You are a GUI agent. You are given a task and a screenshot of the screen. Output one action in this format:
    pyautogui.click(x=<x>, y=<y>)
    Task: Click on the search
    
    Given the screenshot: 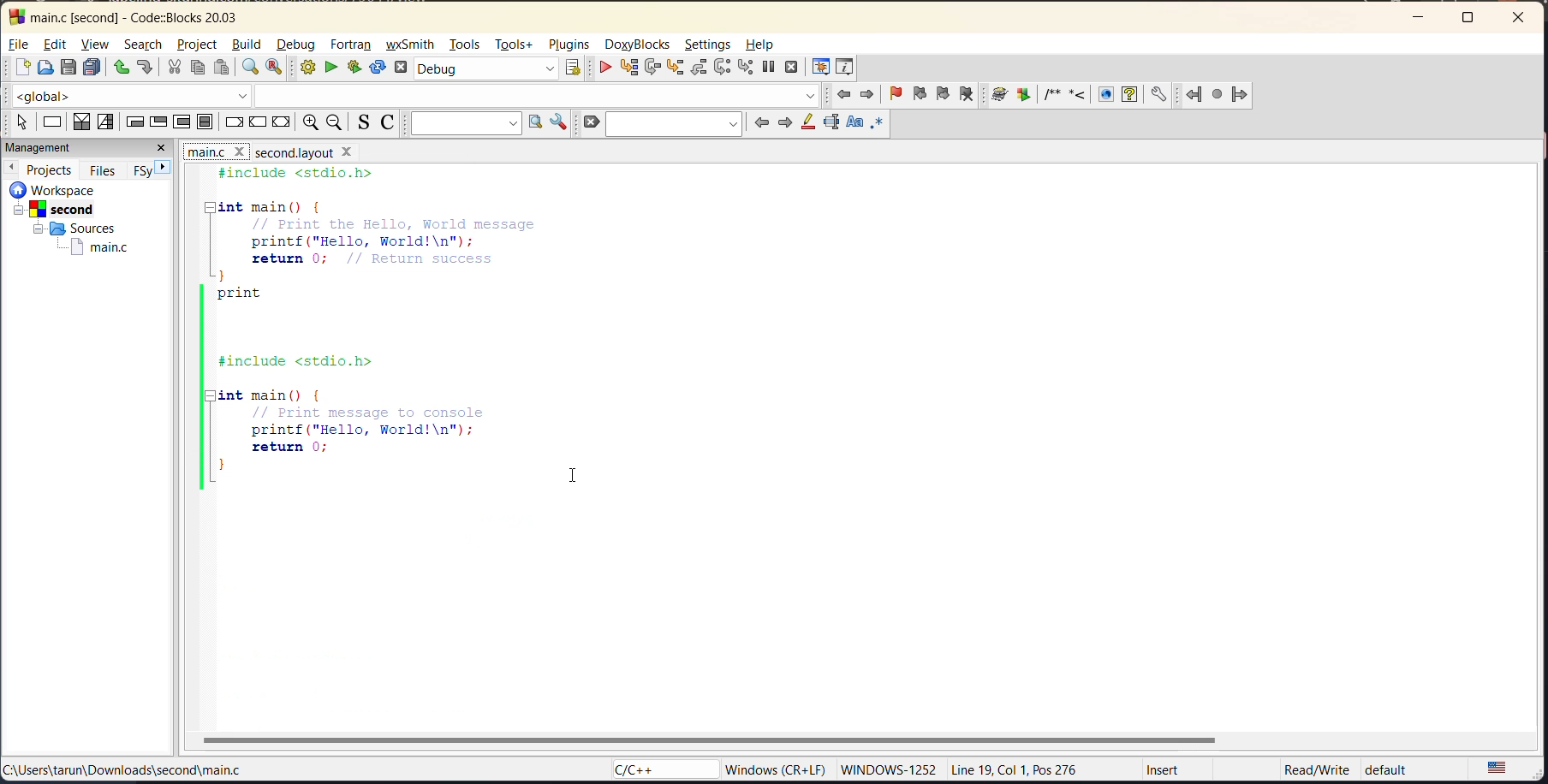 What is the action you would take?
    pyautogui.click(x=143, y=45)
    